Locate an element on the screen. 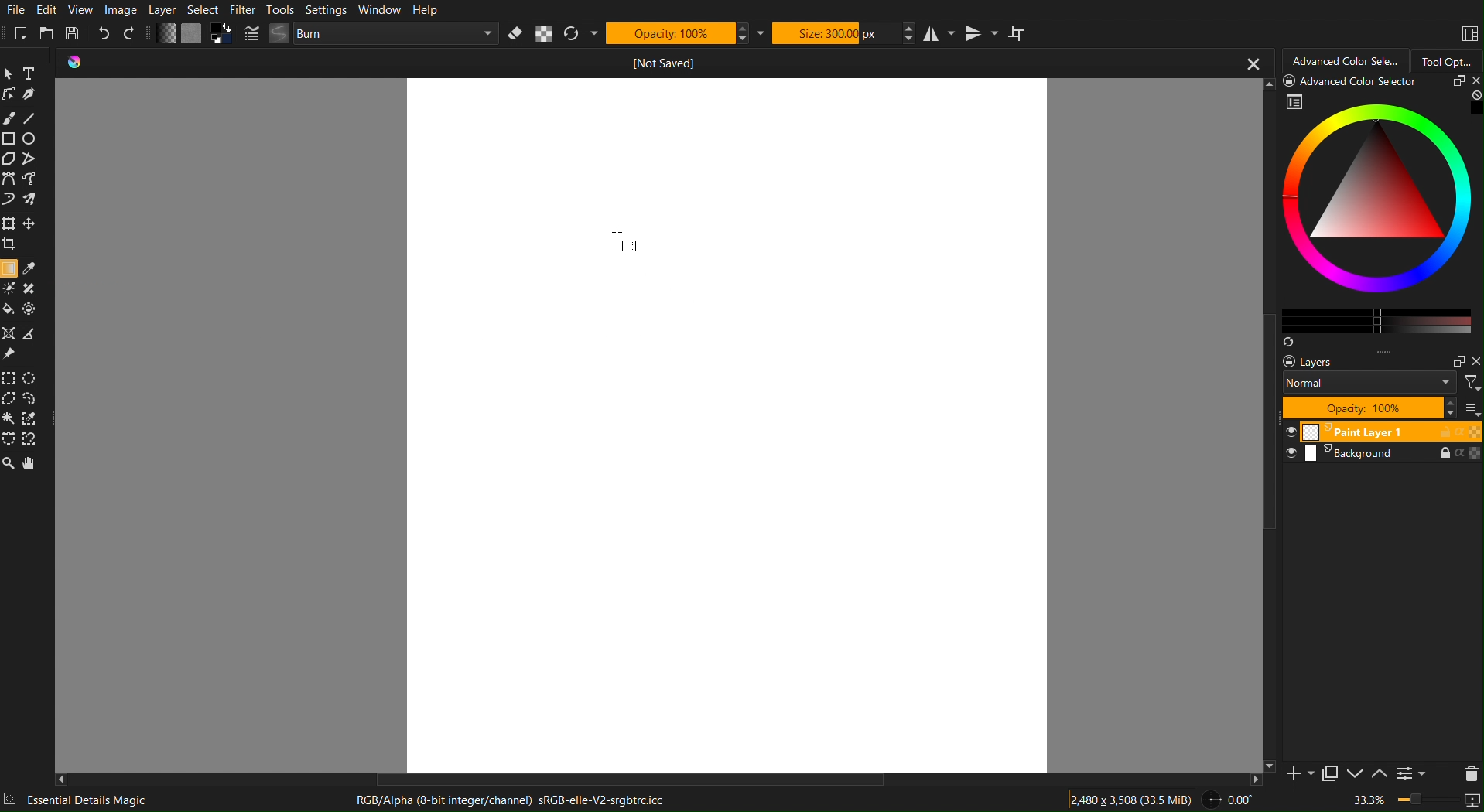  Cursor is located at coordinates (619, 230).